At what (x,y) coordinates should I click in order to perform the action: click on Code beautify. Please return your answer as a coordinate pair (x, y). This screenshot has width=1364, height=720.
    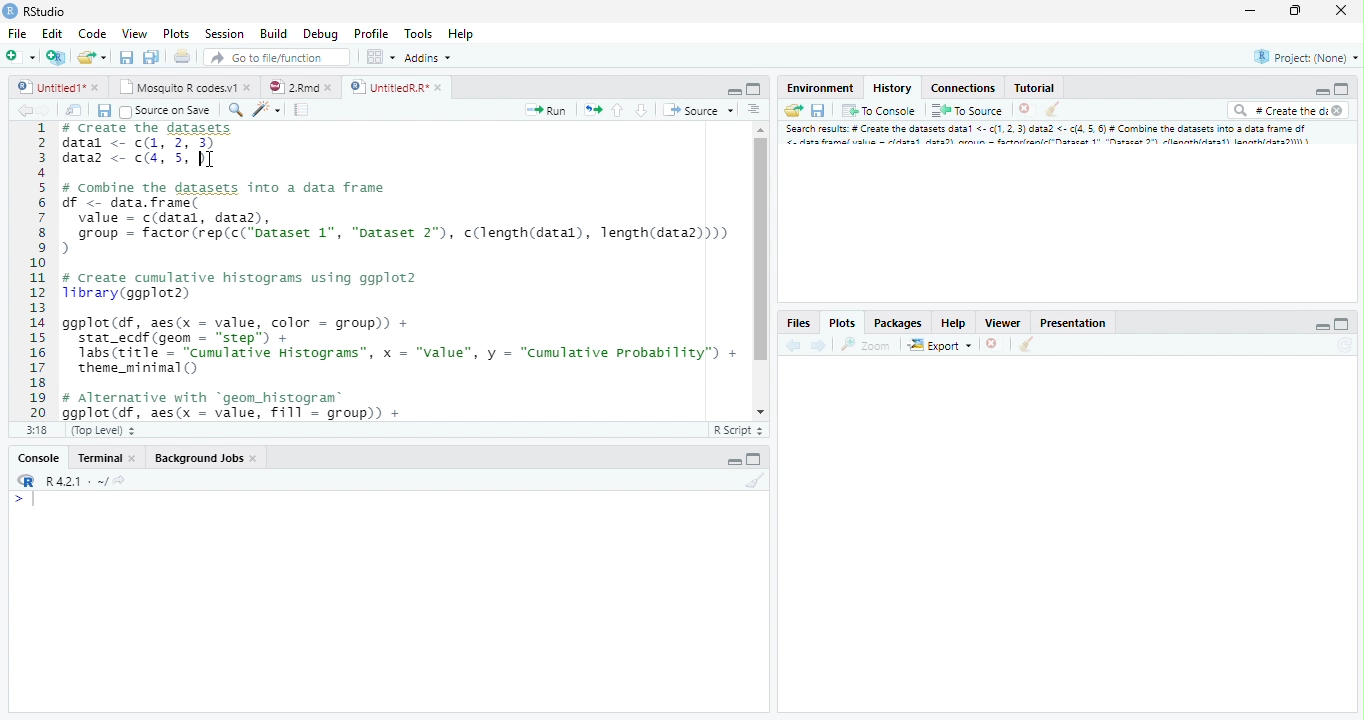
    Looking at the image, I should click on (269, 110).